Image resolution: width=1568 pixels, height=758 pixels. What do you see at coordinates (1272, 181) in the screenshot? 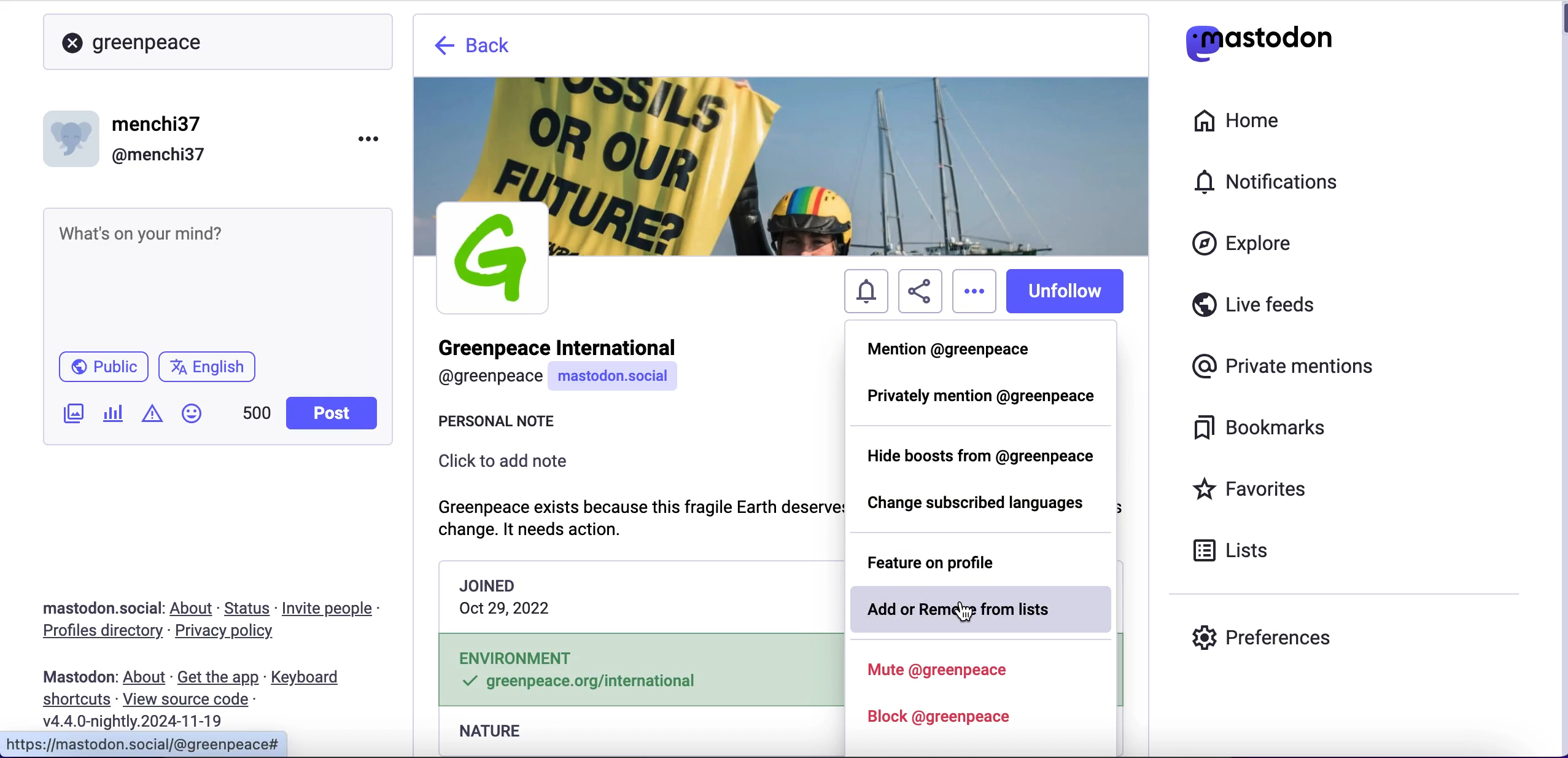
I see `notifications` at bounding box center [1272, 181].